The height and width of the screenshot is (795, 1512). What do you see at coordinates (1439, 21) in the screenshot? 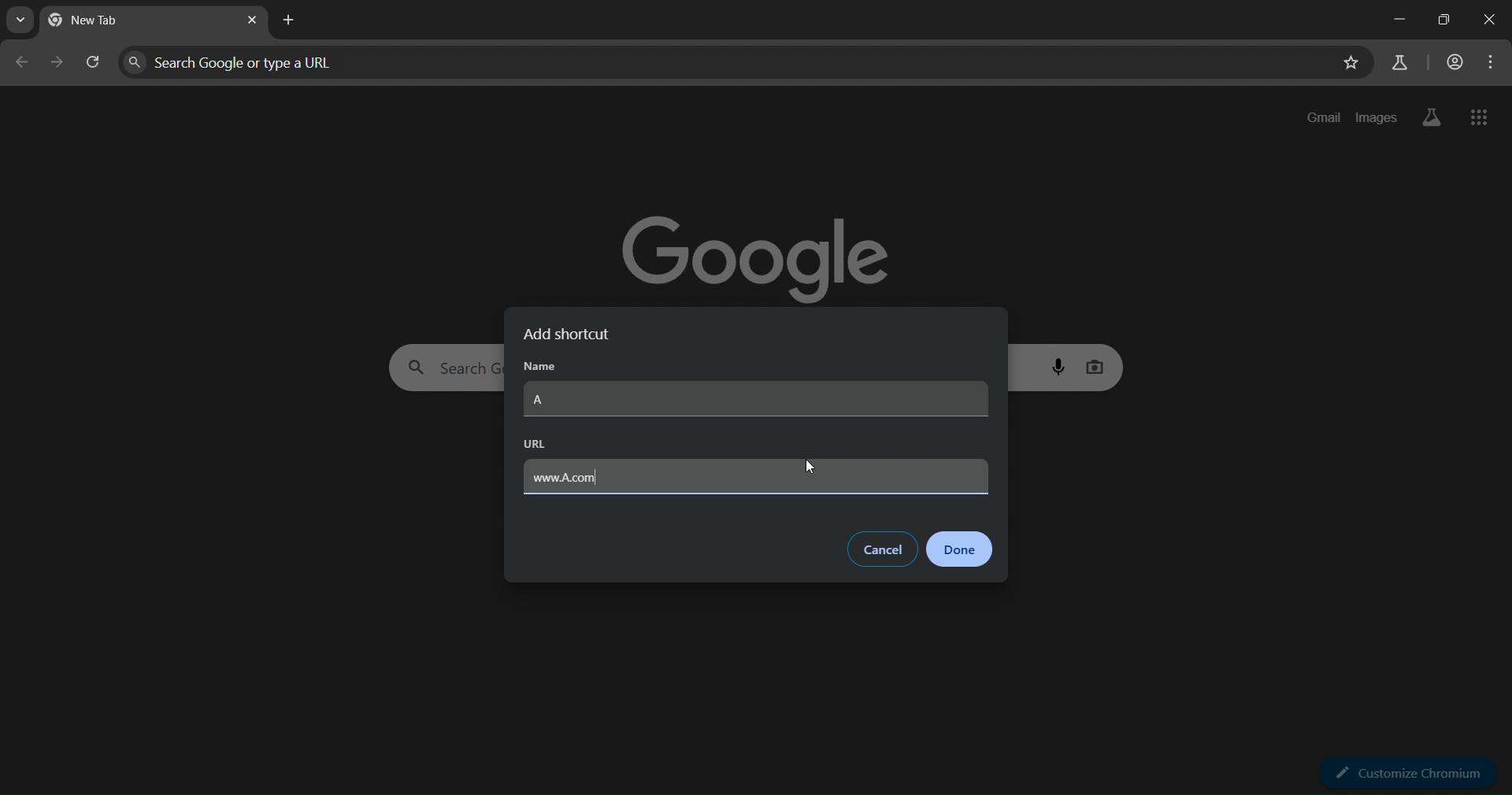
I see `restore down` at bounding box center [1439, 21].